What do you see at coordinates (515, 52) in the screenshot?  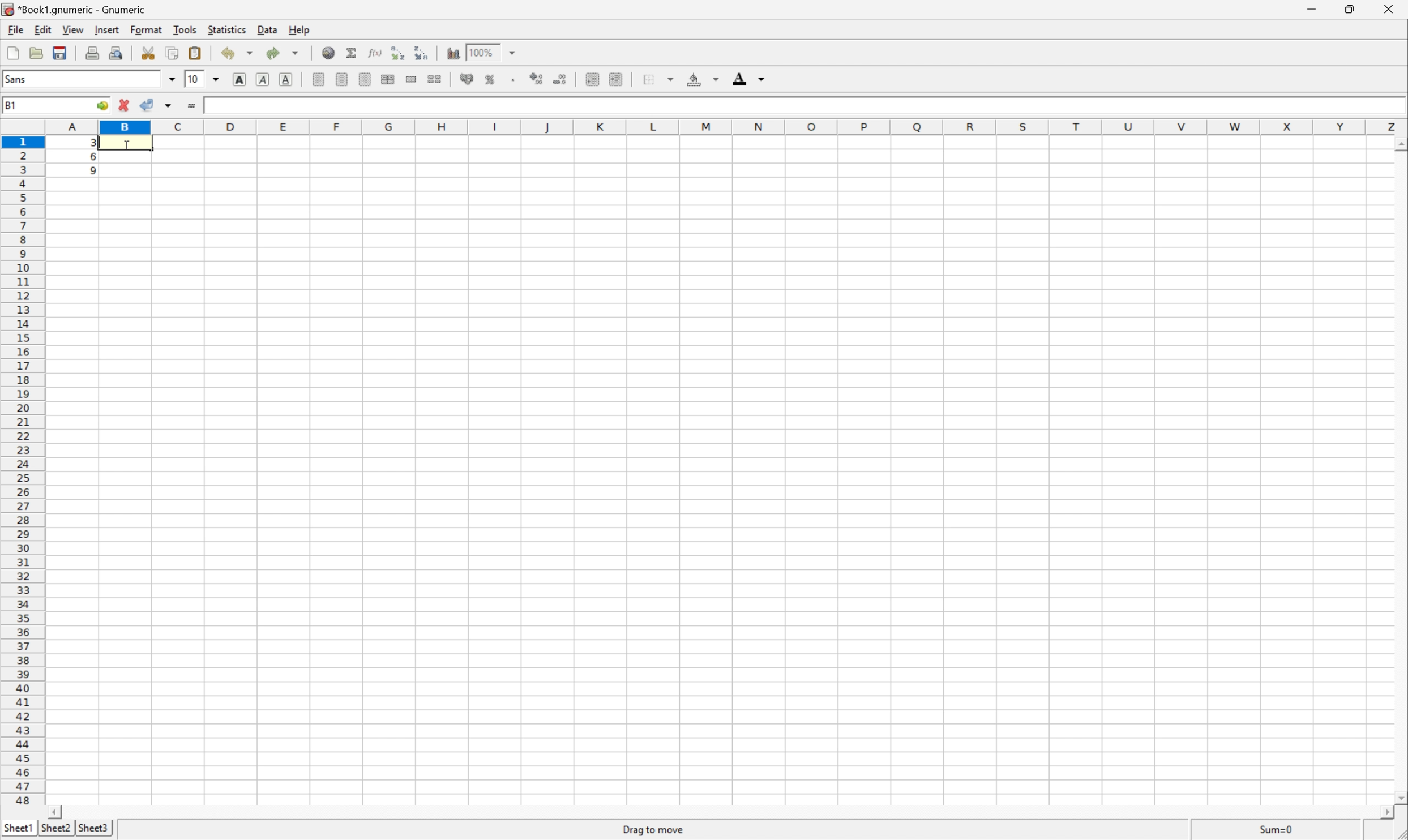 I see `Drop Down` at bounding box center [515, 52].